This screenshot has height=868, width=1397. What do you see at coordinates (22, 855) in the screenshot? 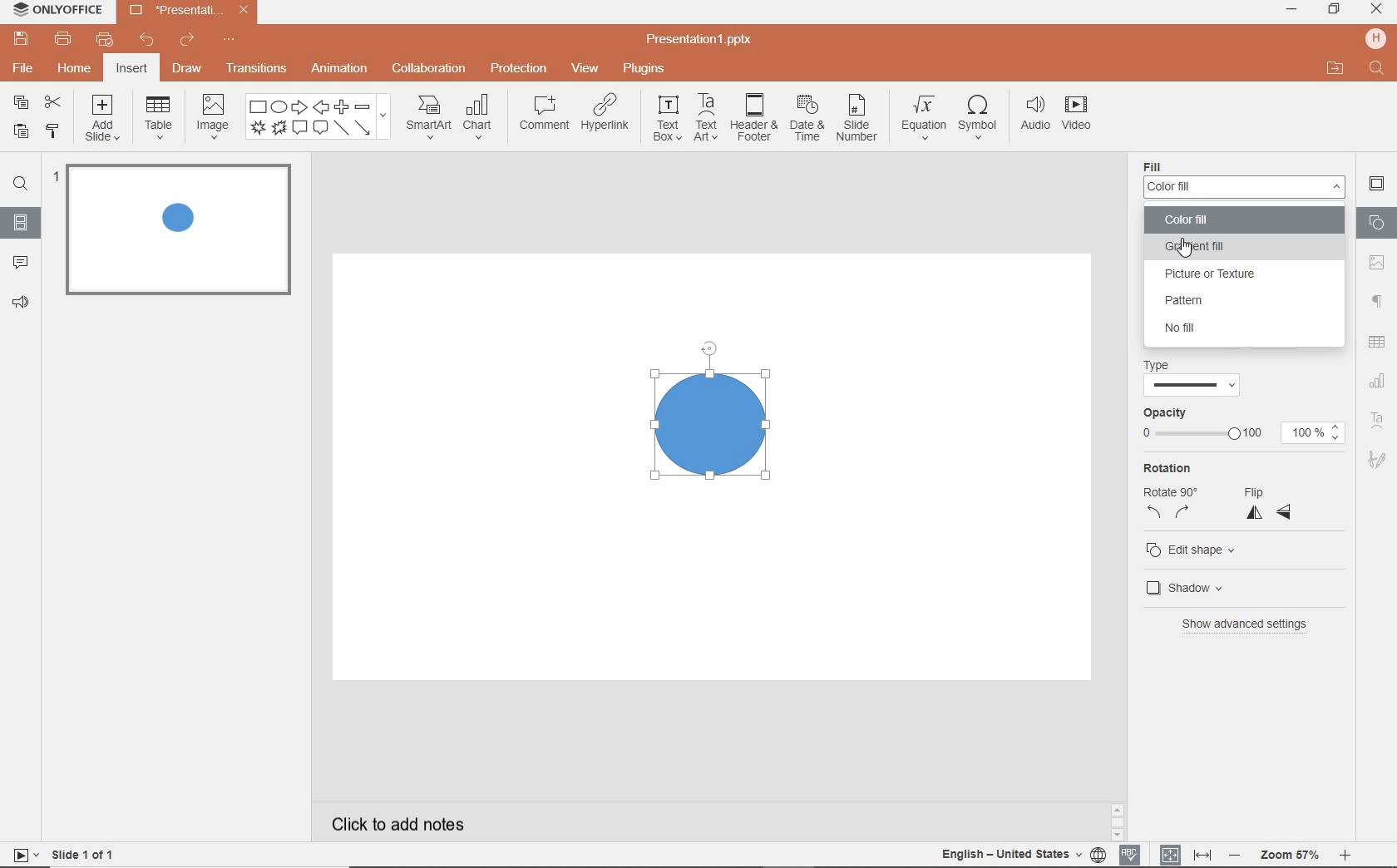
I see `start slideshow` at bounding box center [22, 855].